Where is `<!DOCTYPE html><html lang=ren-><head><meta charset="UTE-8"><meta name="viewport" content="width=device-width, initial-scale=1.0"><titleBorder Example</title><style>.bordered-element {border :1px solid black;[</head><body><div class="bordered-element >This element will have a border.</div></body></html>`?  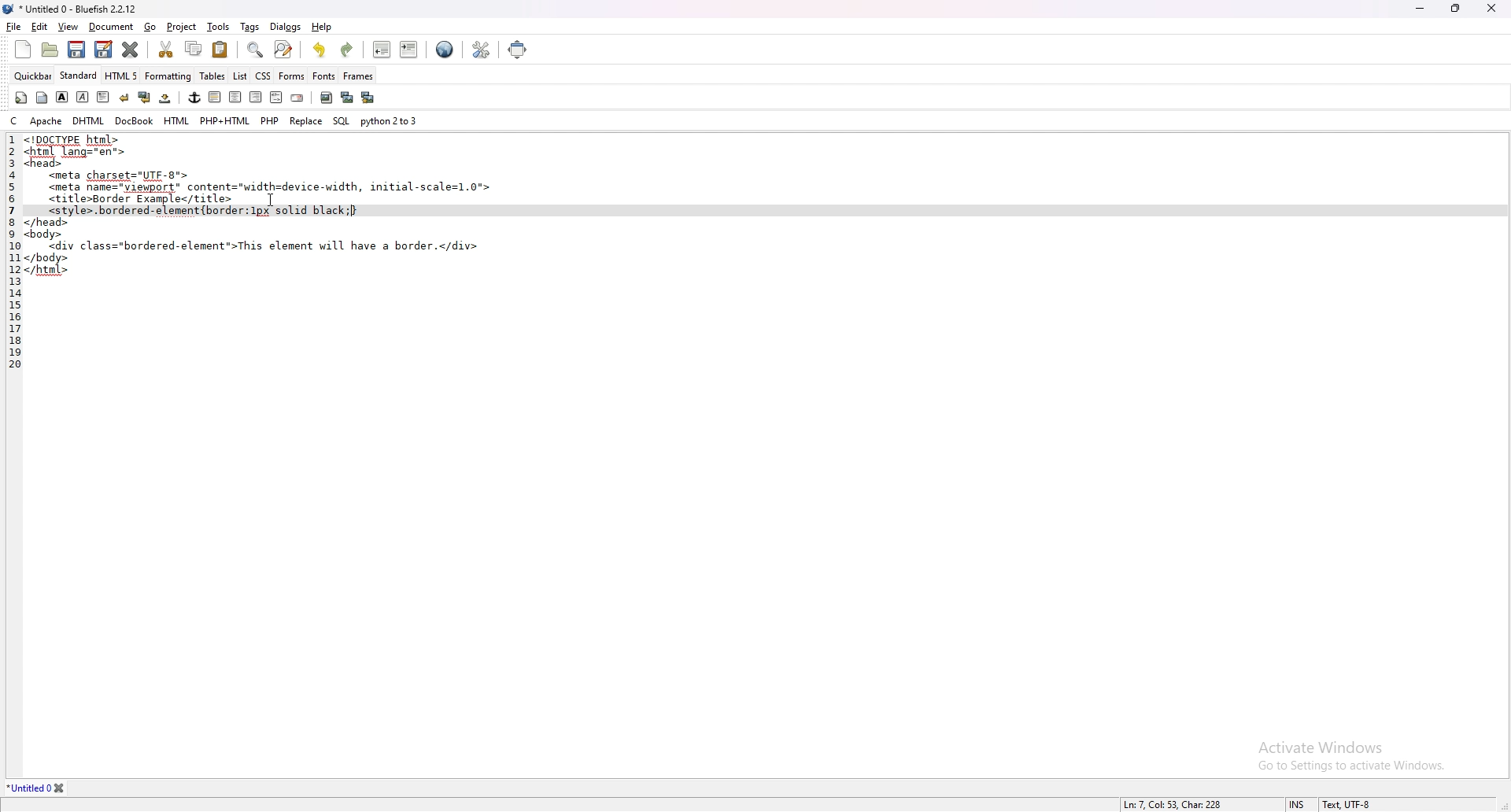
<!DOCTYPE html><html lang=ren-><head><meta charset="UTE-8"><meta name="viewport" content="width=device-width, initial-scale=1.0"><titleBorder Example</title><style>.bordered-element {border :1px solid black;[</head><body><div class="bordered-element >This element will have a border.</div></body></html> is located at coordinates (265, 208).